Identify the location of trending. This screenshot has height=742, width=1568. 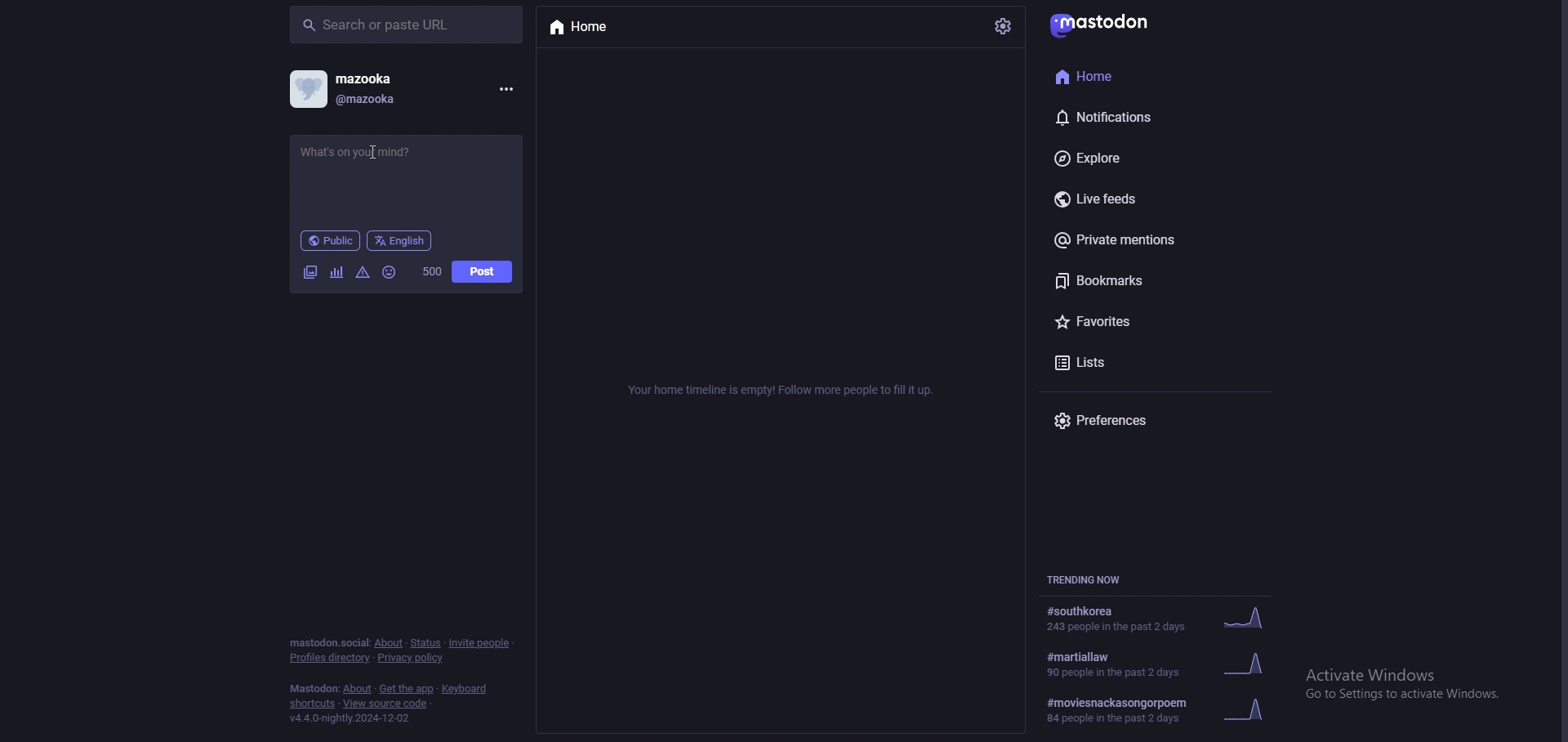
(1171, 664).